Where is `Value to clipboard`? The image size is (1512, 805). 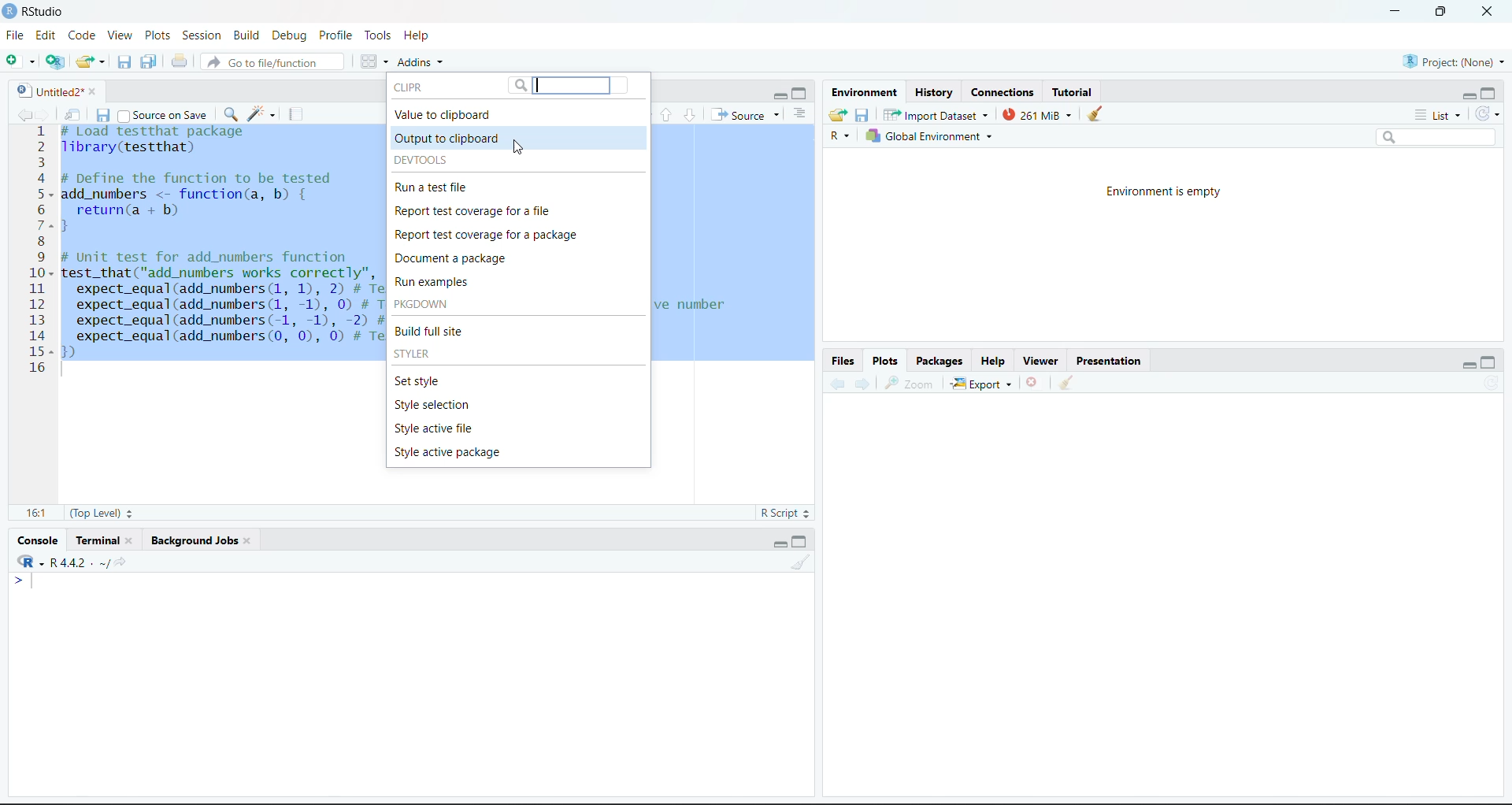 Value to clipboard is located at coordinates (443, 116).